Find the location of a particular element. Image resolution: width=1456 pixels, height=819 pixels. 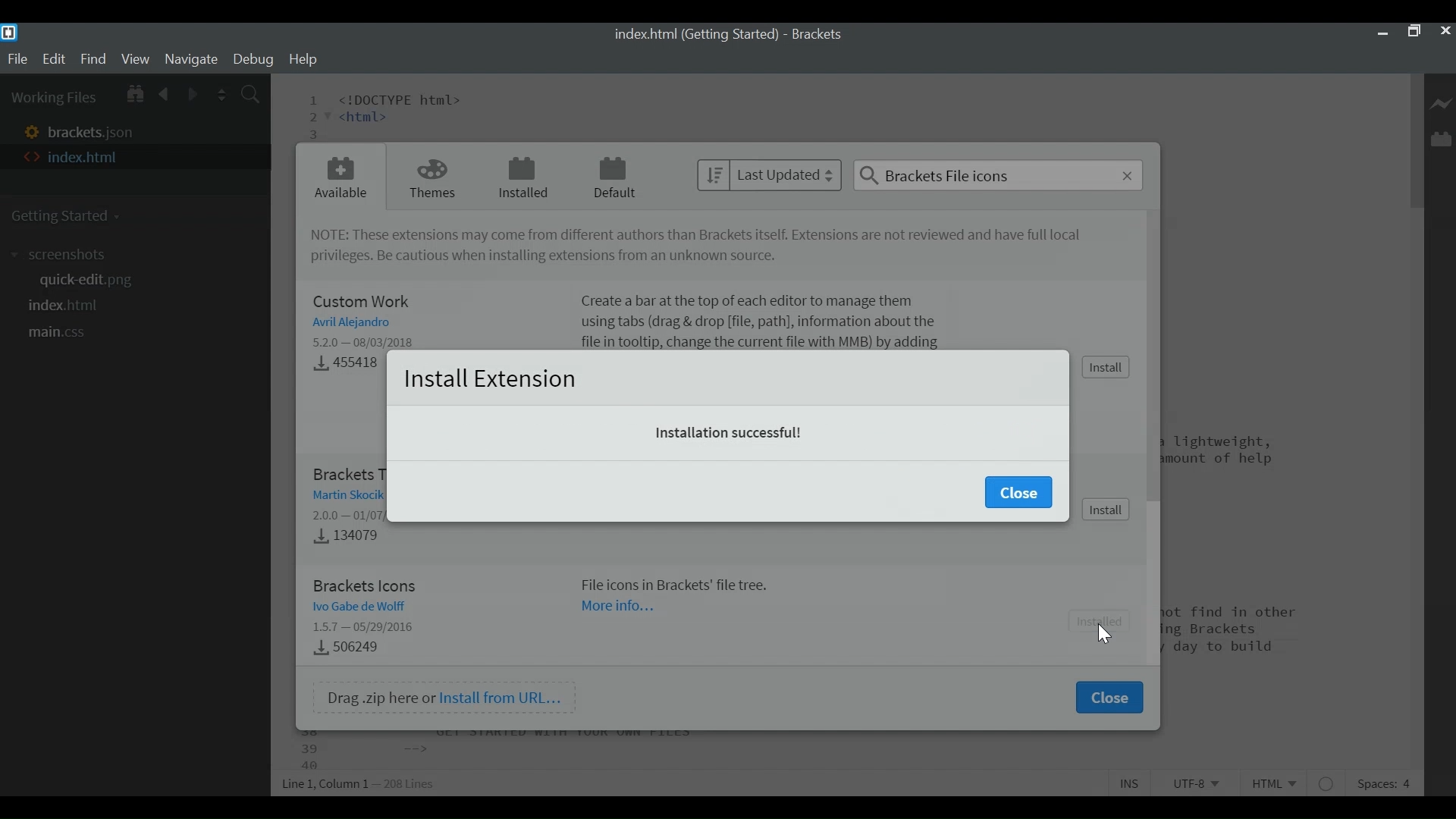

Version - Released Date is located at coordinates (367, 342).